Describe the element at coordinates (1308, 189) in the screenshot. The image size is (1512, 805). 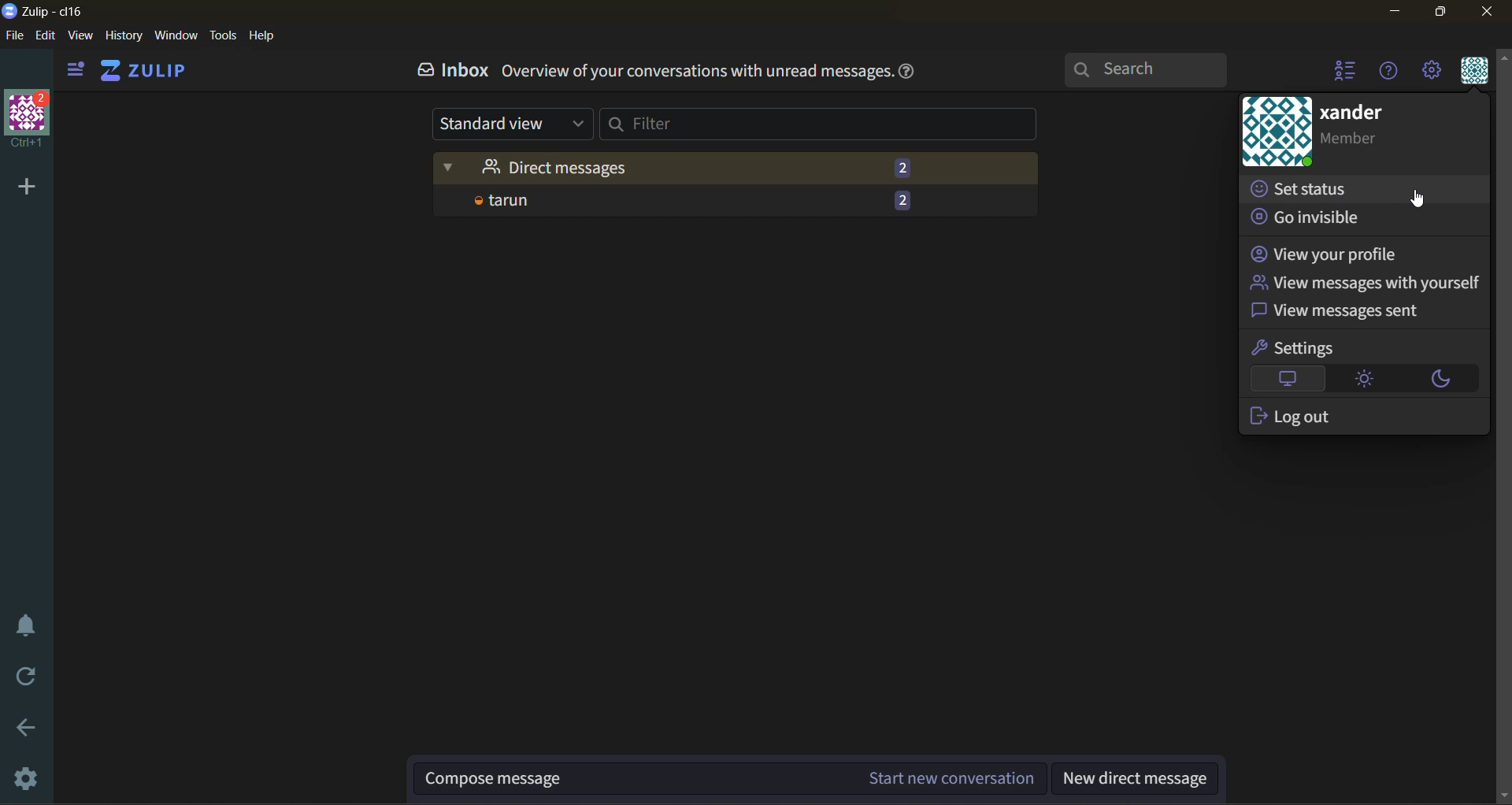
I see `set status` at that location.